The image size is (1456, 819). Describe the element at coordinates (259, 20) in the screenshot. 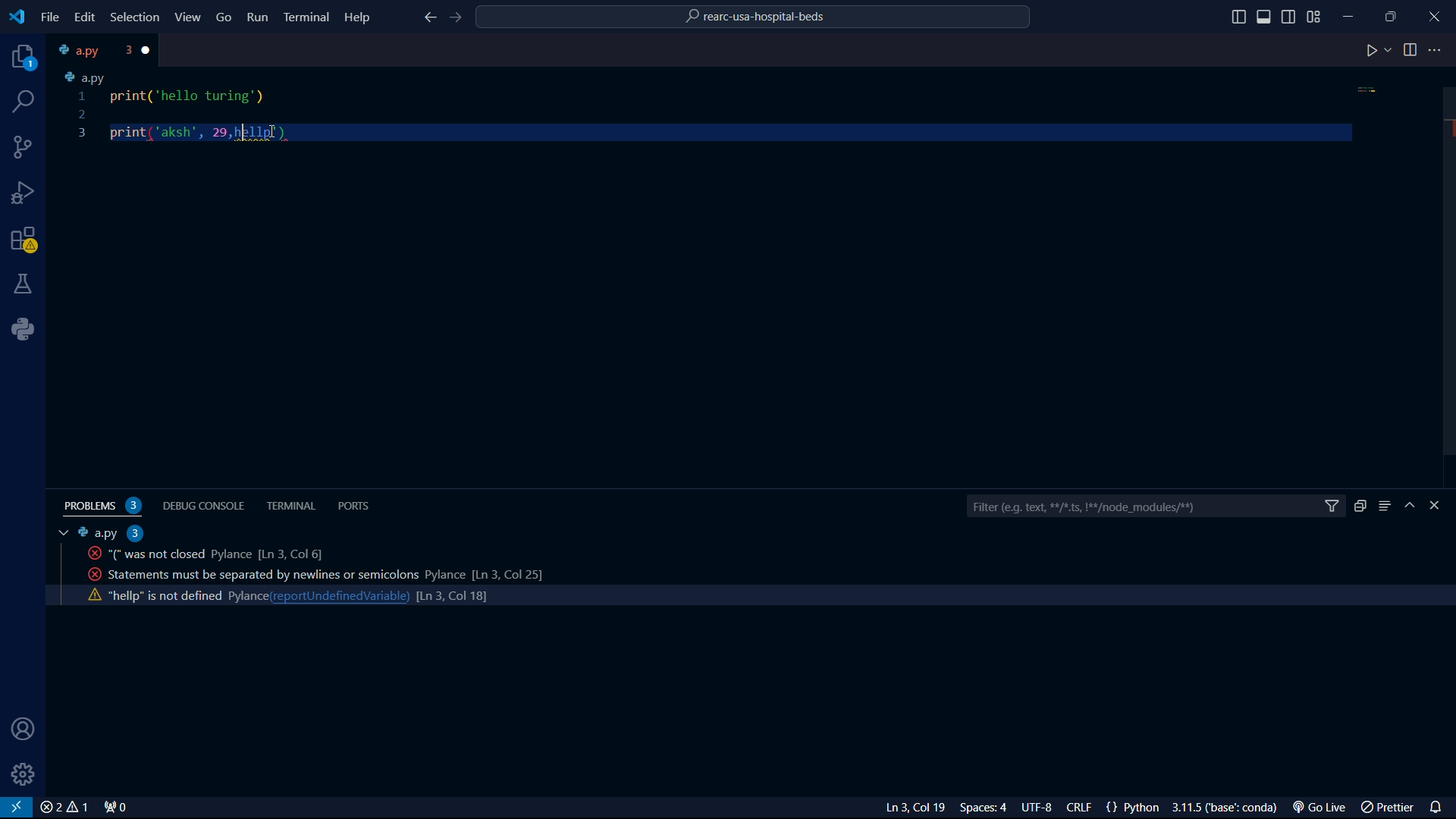

I see `Run` at that location.